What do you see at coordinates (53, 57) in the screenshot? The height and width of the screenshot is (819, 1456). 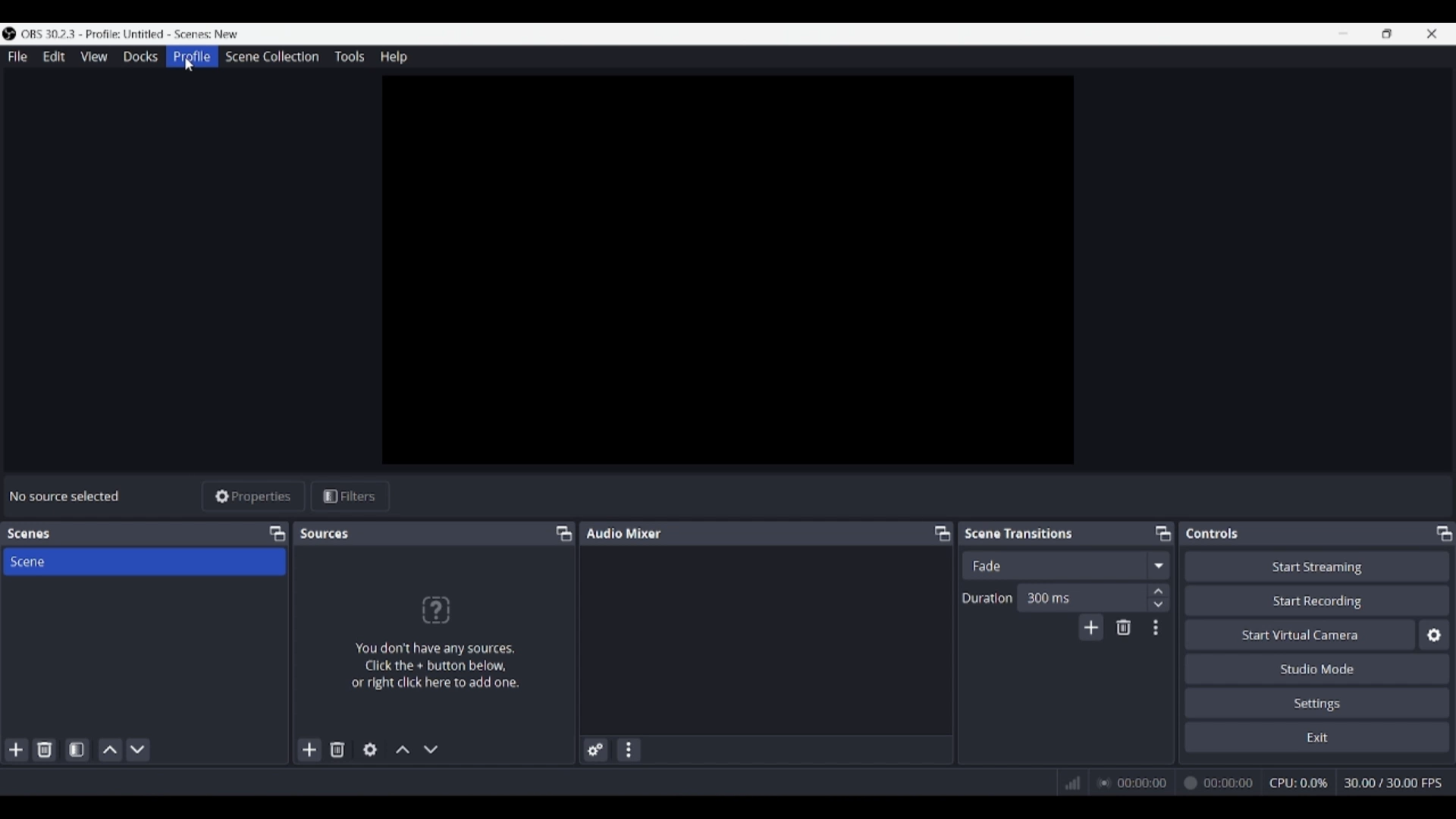 I see `Edit menu` at bounding box center [53, 57].